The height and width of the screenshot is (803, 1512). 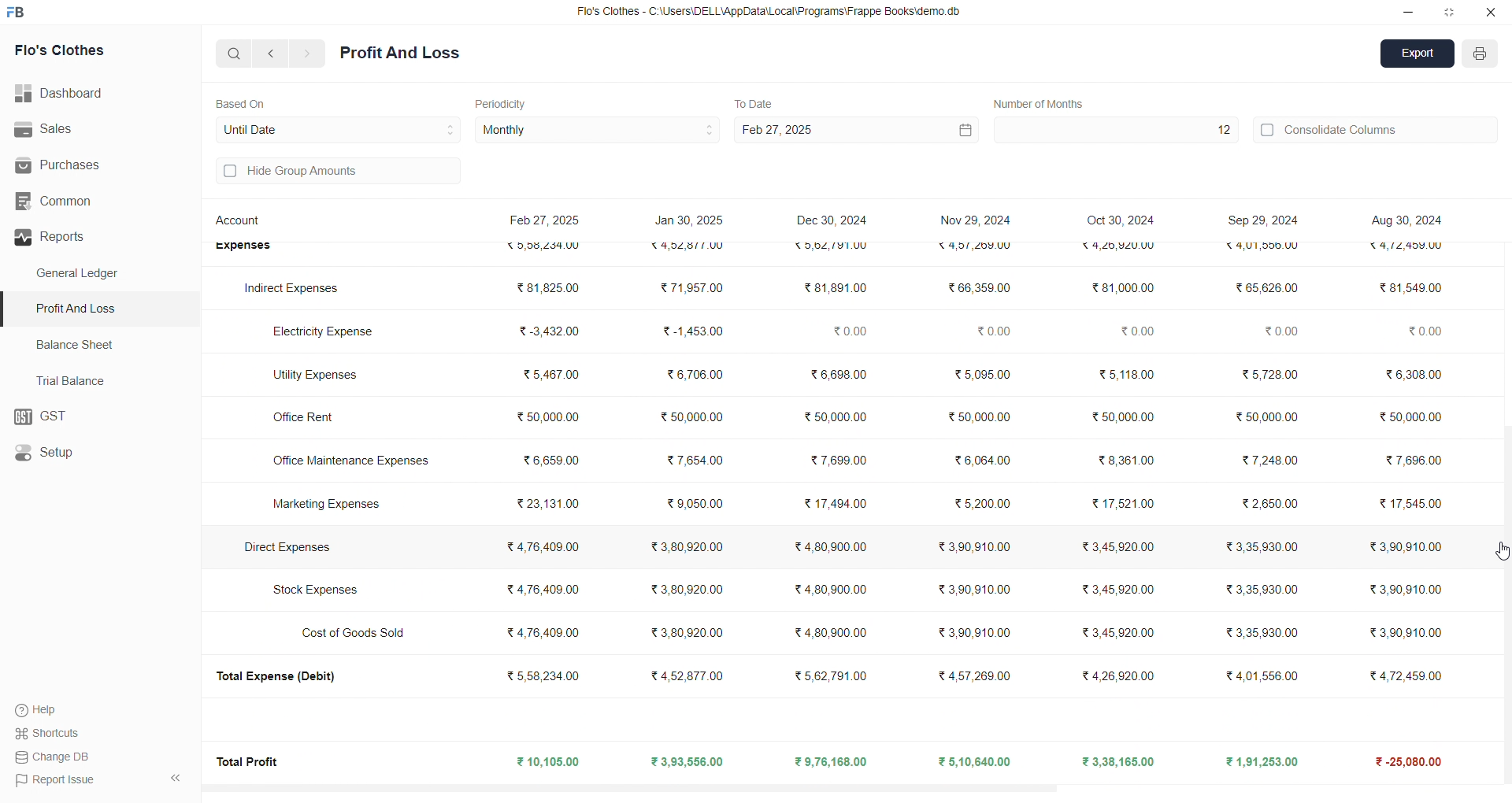 I want to click on ₹81,000.00, so click(x=1115, y=288).